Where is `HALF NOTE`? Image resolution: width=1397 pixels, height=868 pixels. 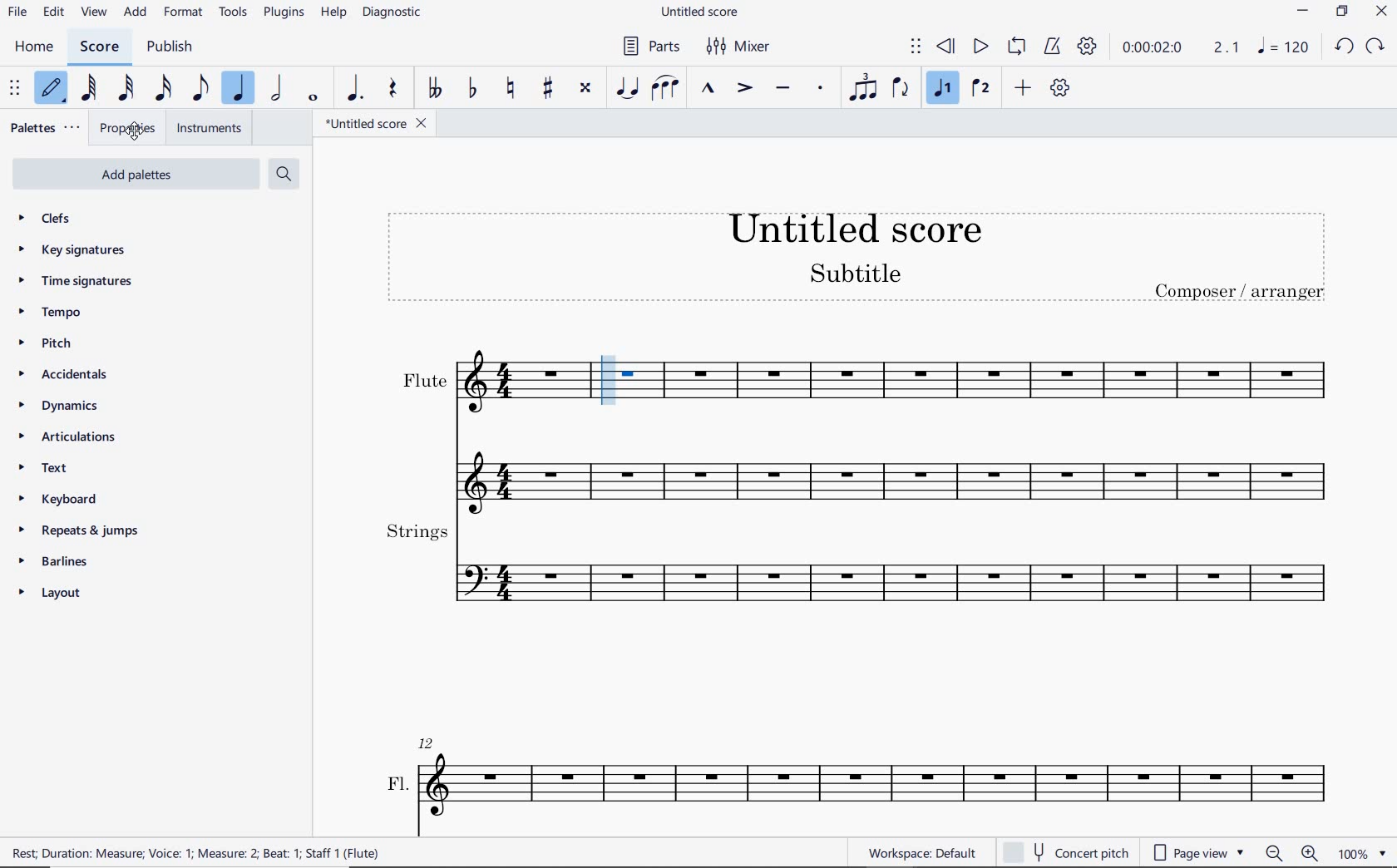
HALF NOTE is located at coordinates (279, 89).